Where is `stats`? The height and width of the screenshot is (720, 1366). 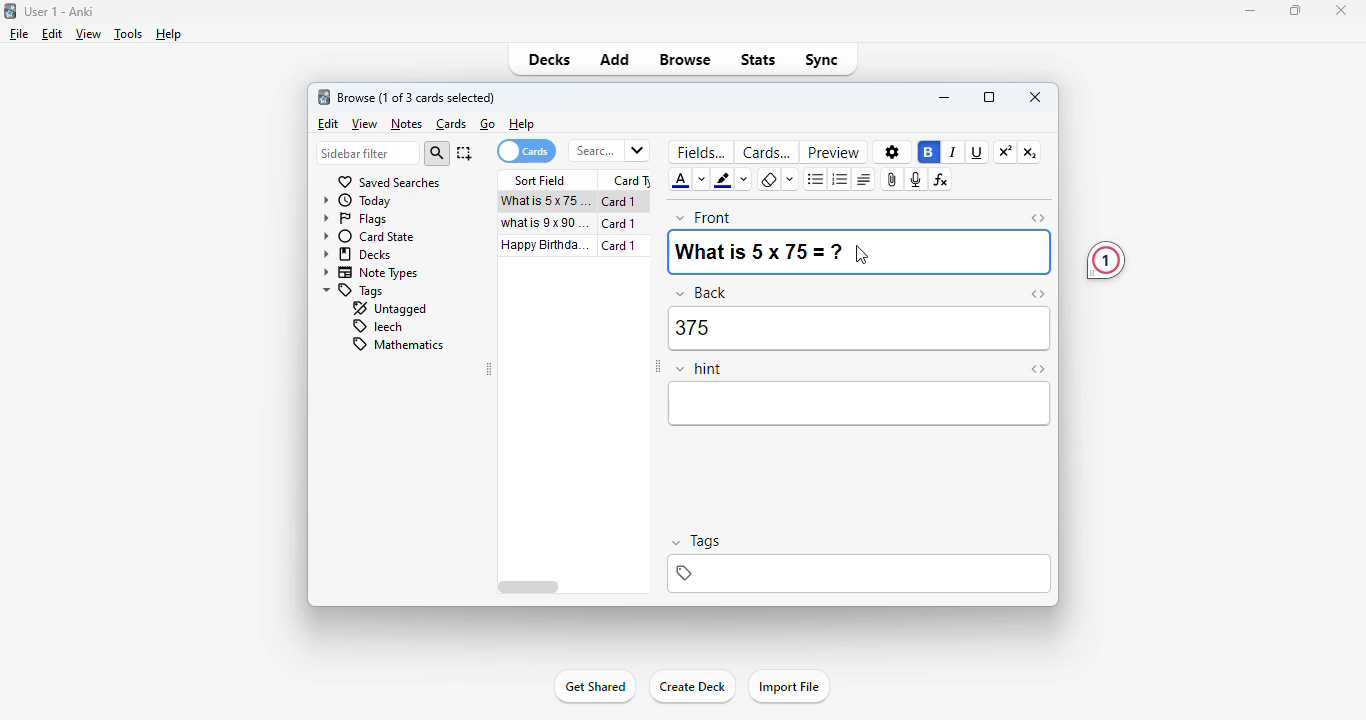 stats is located at coordinates (758, 61).